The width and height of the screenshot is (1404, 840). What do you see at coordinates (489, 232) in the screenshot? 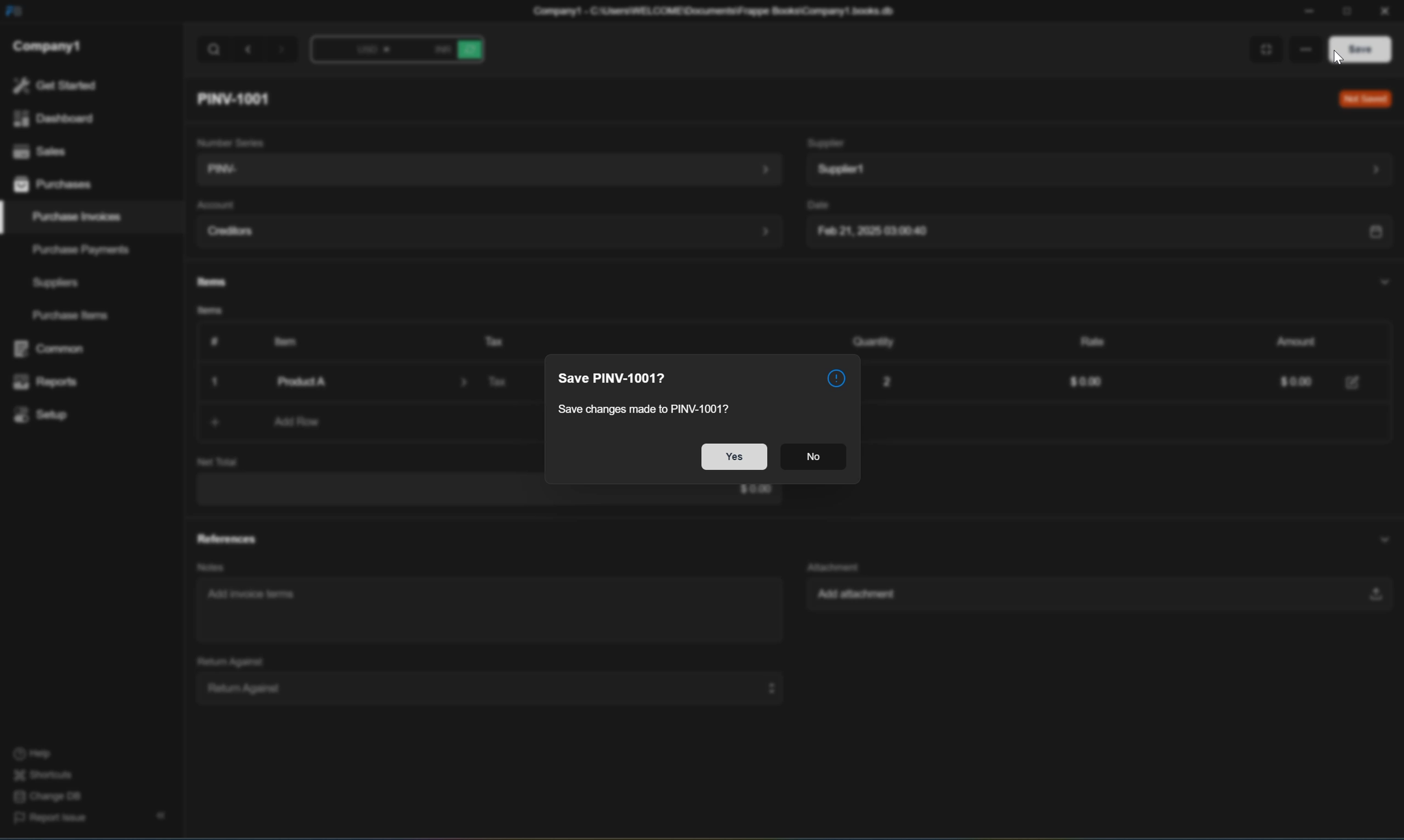
I see `Creditors` at bounding box center [489, 232].